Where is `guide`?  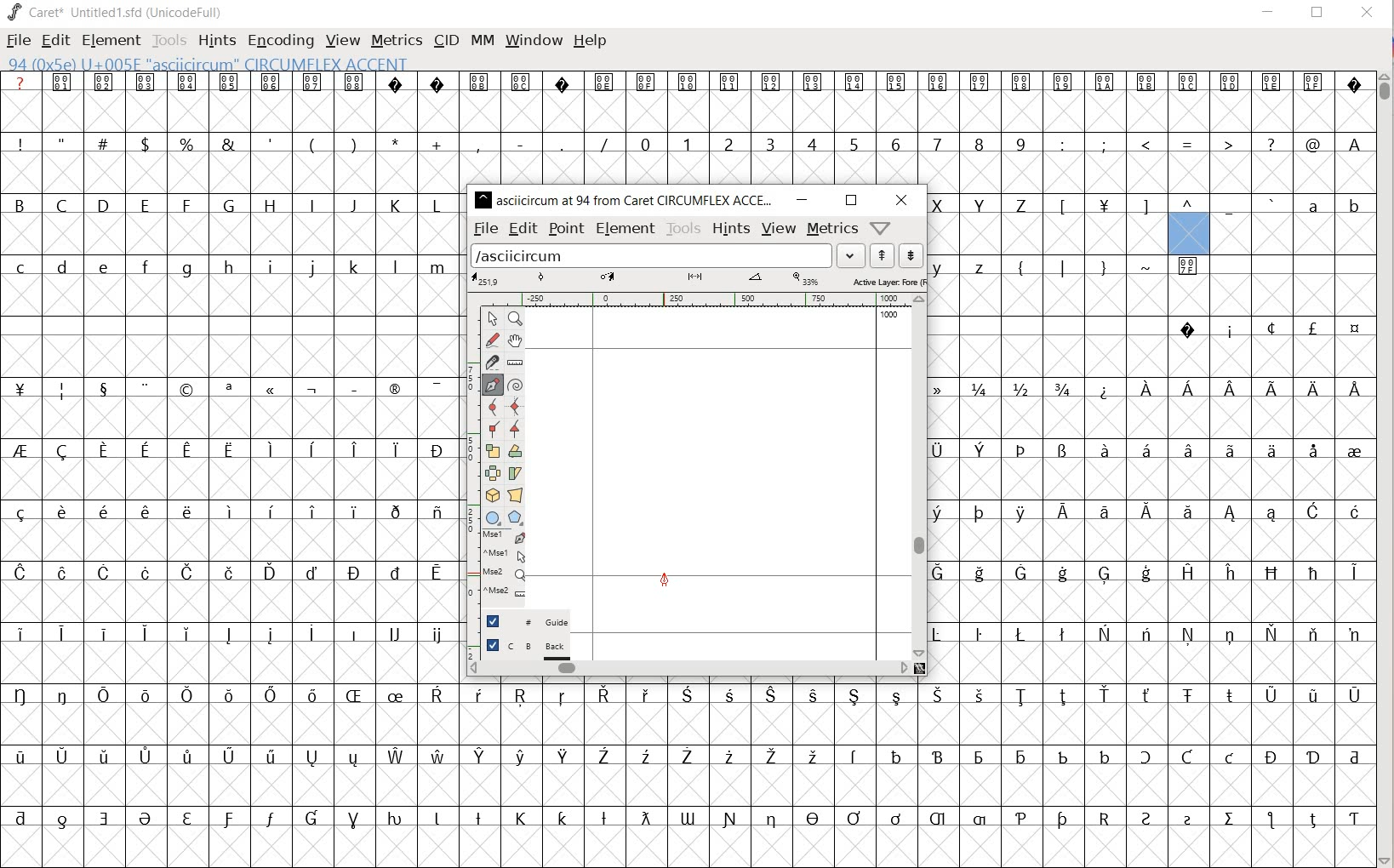 guide is located at coordinates (528, 621).